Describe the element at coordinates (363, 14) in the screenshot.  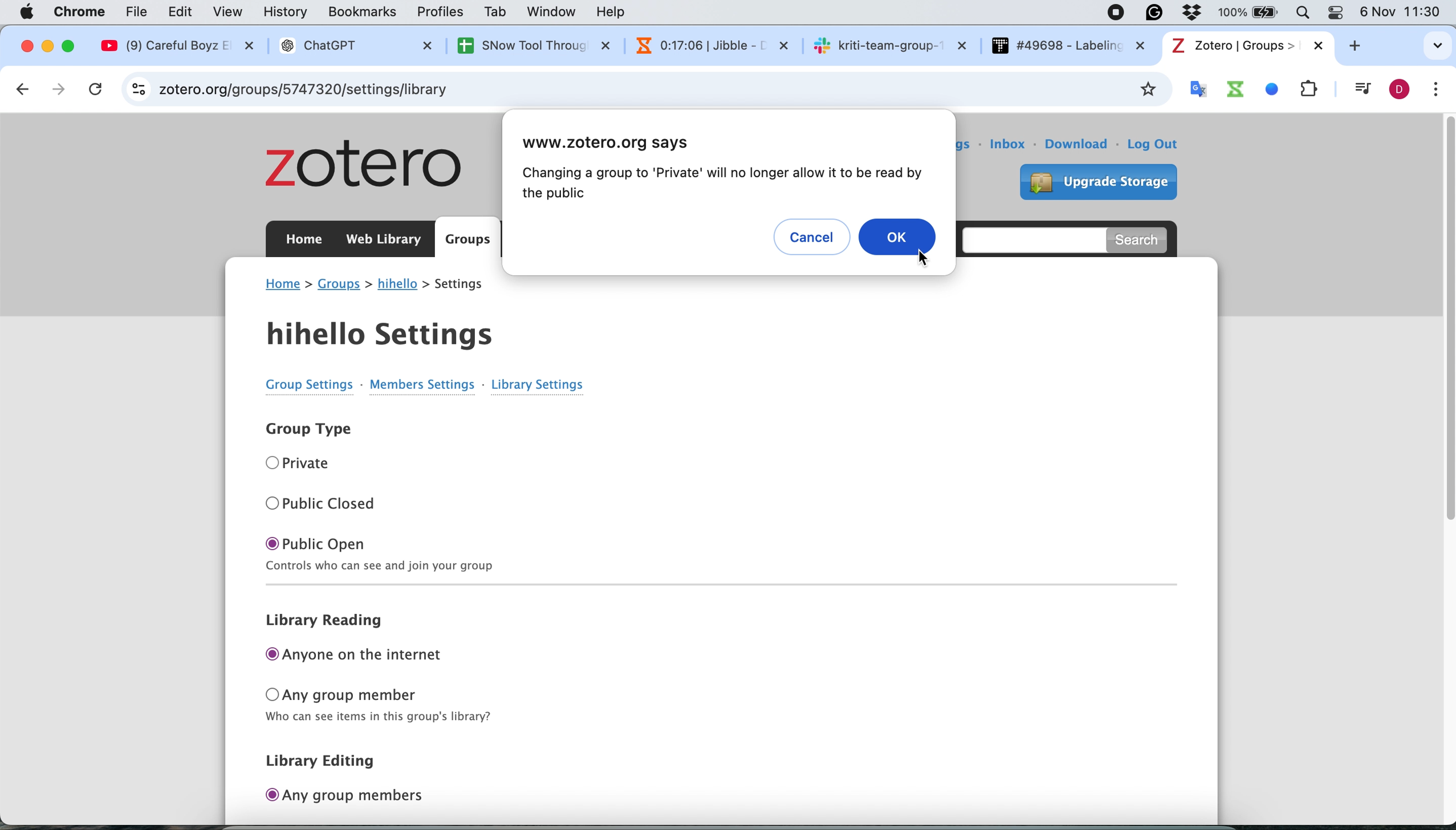
I see `bookmarks` at that location.